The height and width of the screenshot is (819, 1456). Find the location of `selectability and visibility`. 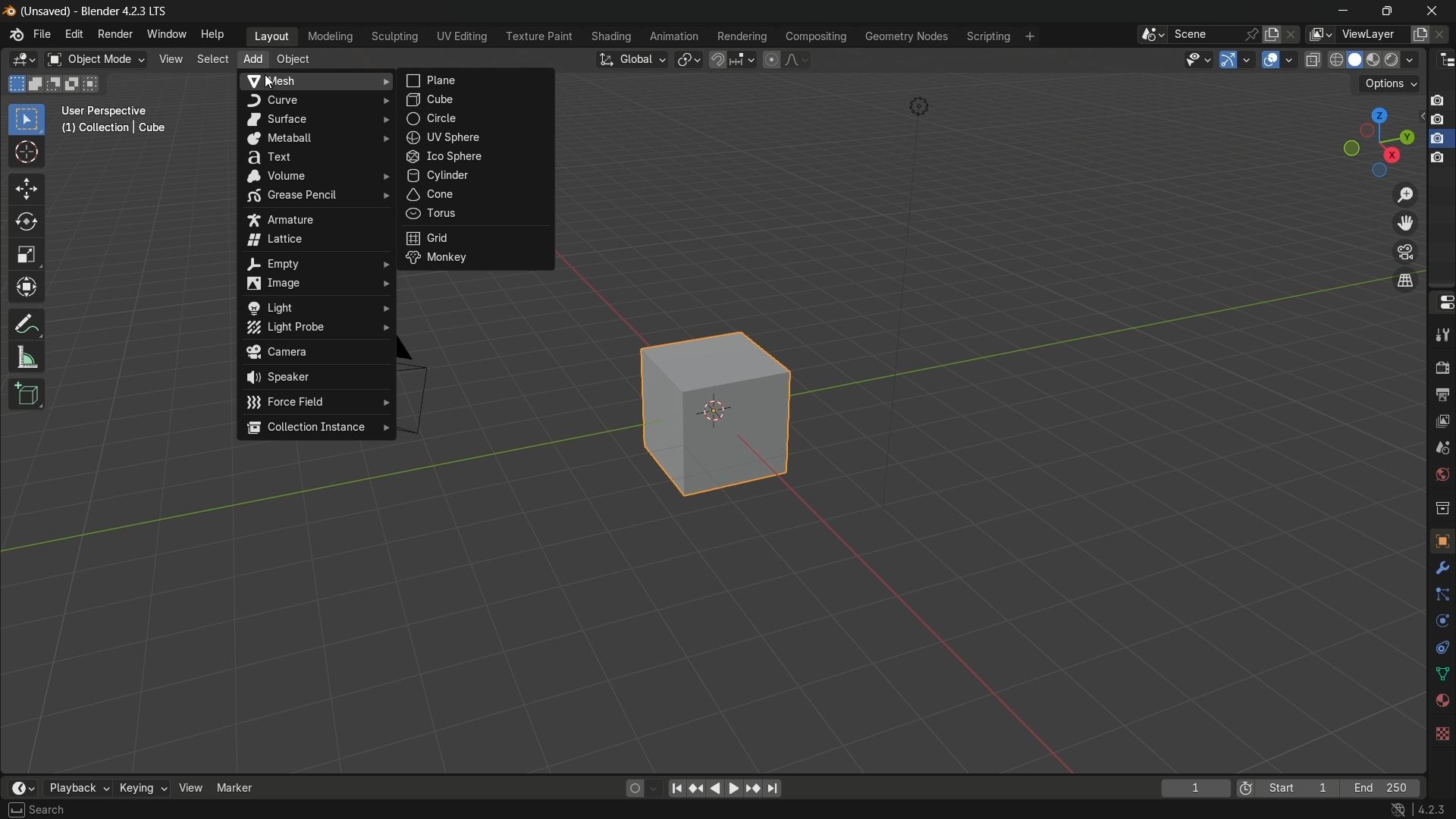

selectability and visibility is located at coordinates (1199, 59).